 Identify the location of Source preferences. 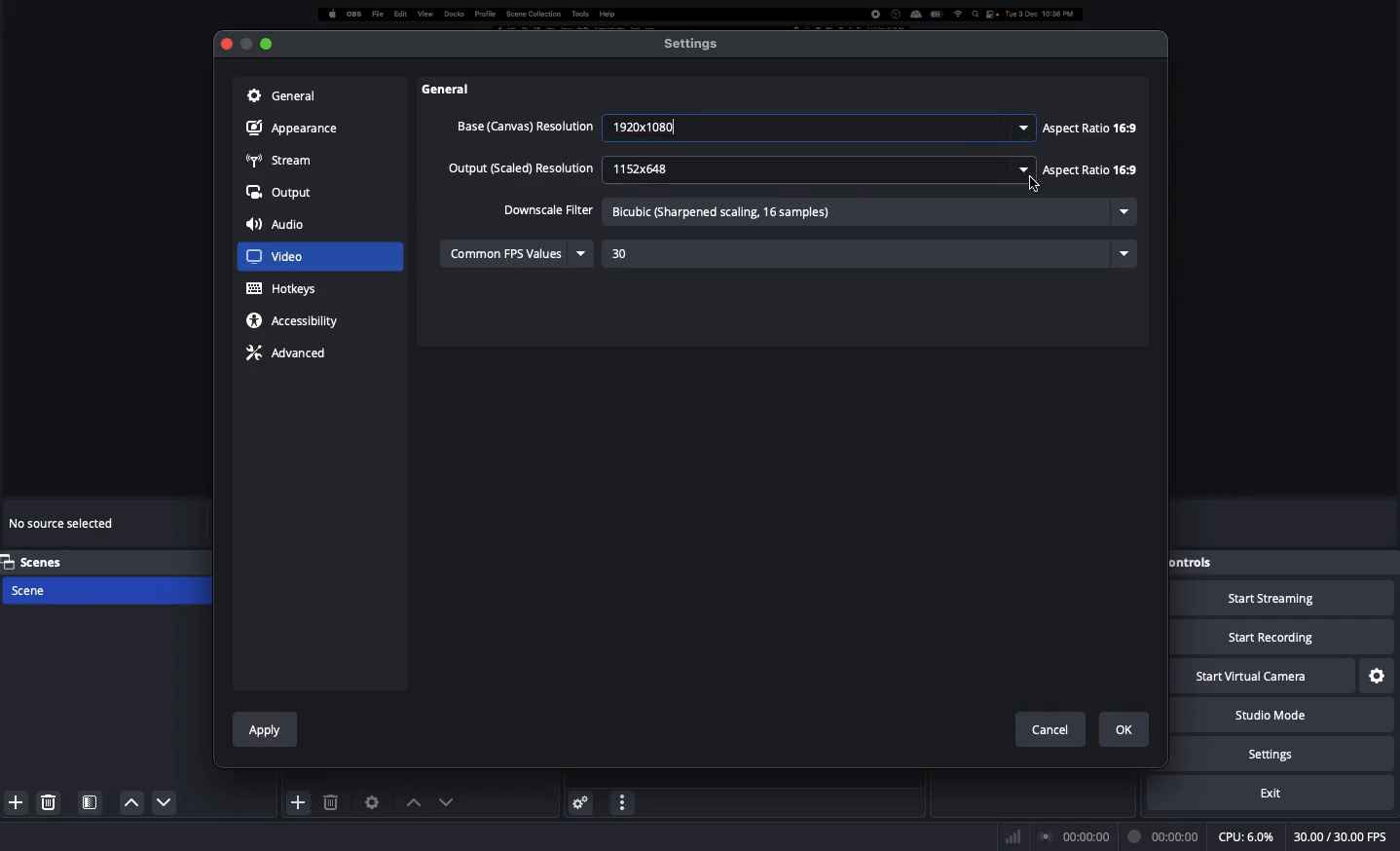
(370, 802).